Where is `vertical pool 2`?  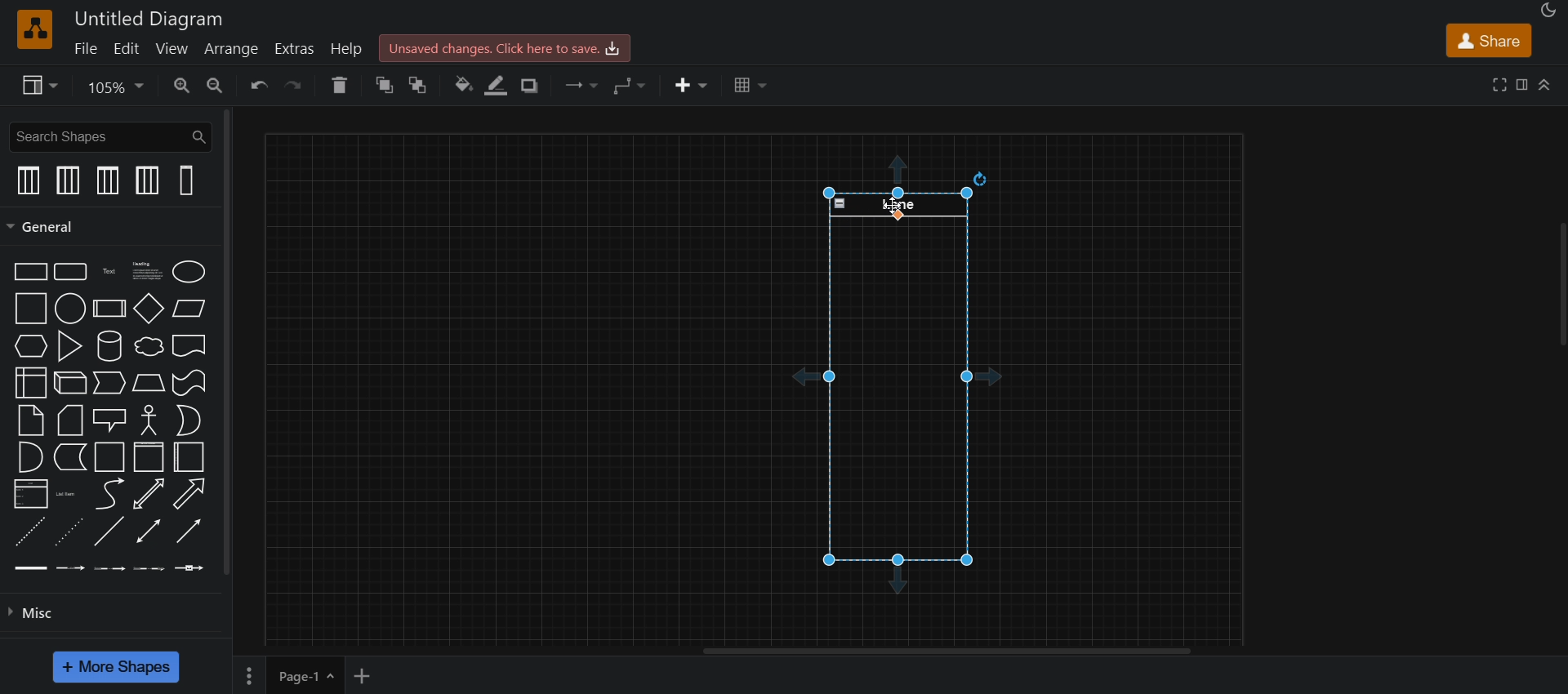
vertical pool 2 is located at coordinates (145, 181).